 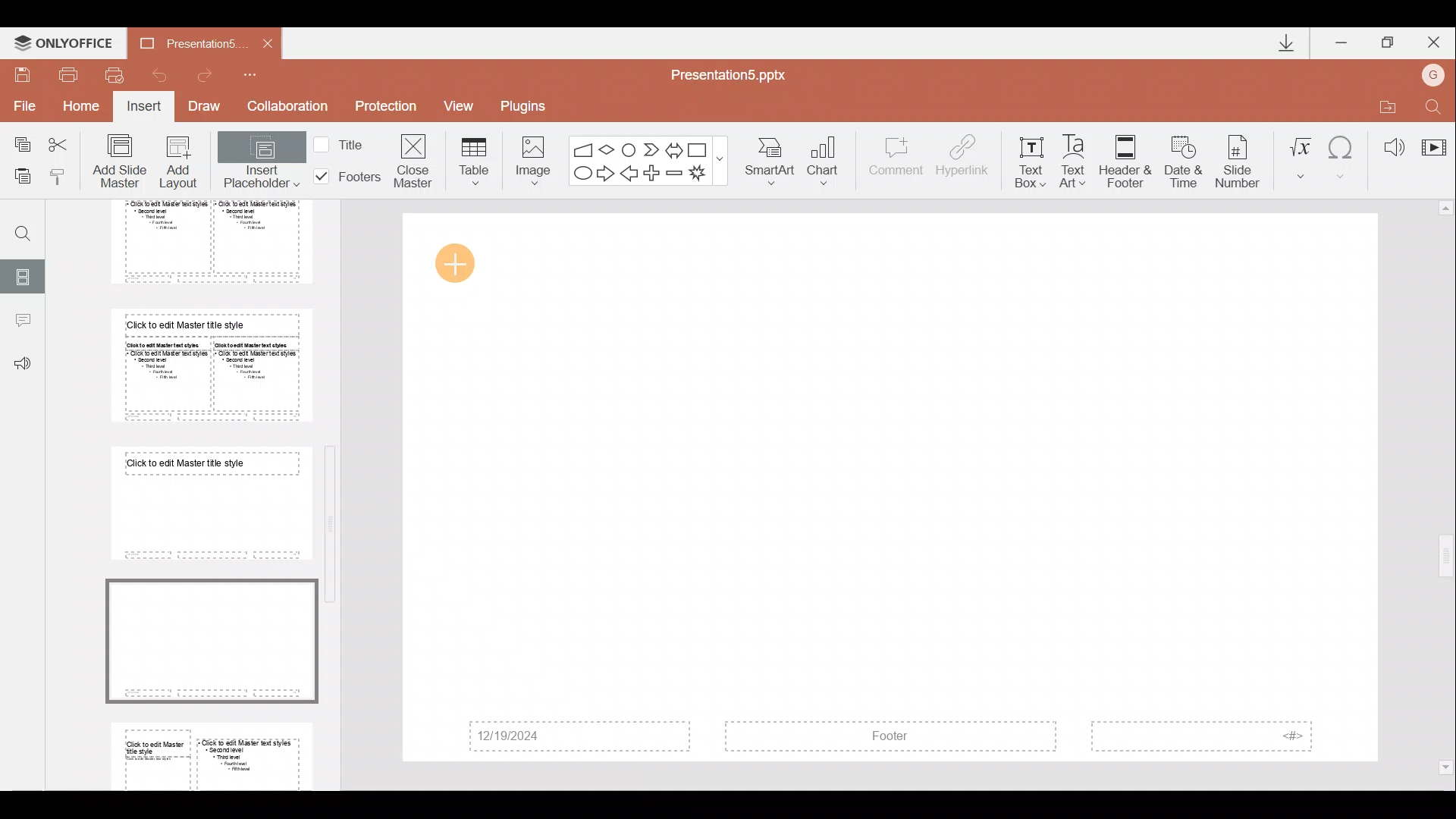 What do you see at coordinates (1446, 488) in the screenshot?
I see `Scroll bar` at bounding box center [1446, 488].